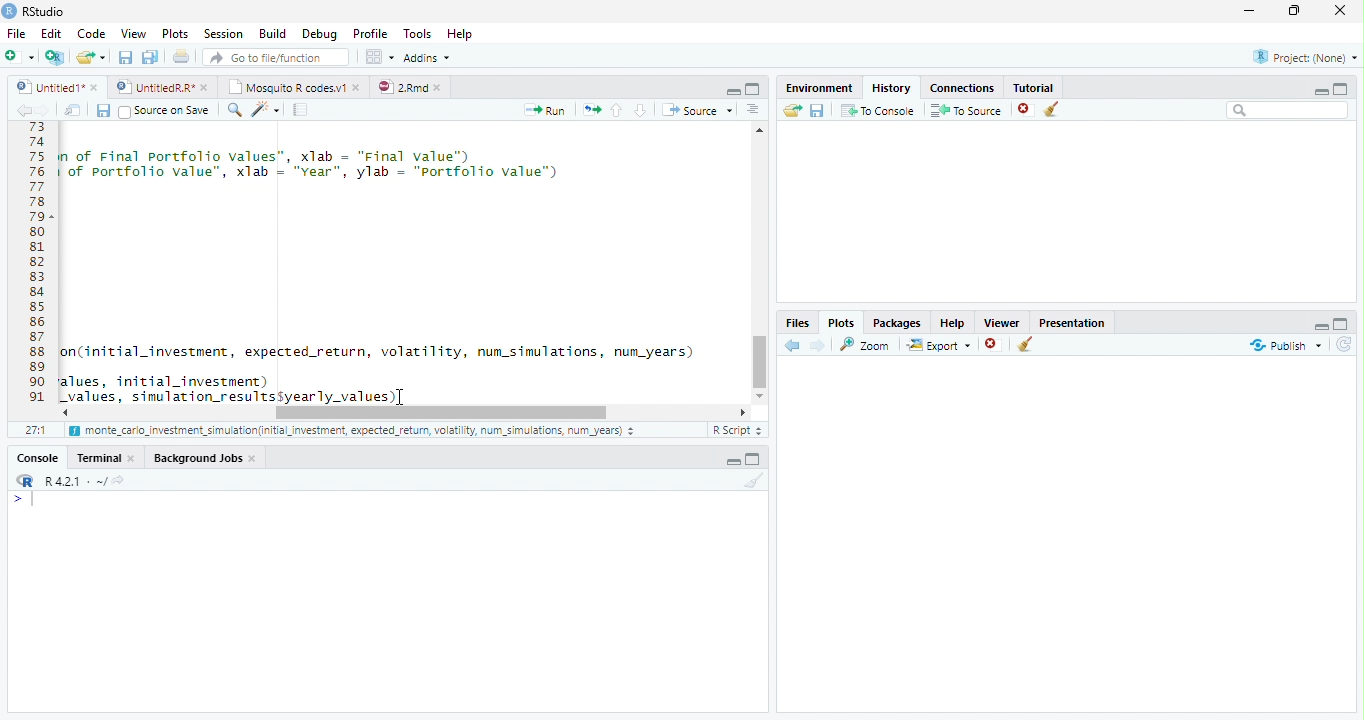  Describe the element at coordinates (818, 345) in the screenshot. I see `Next Plot` at that location.